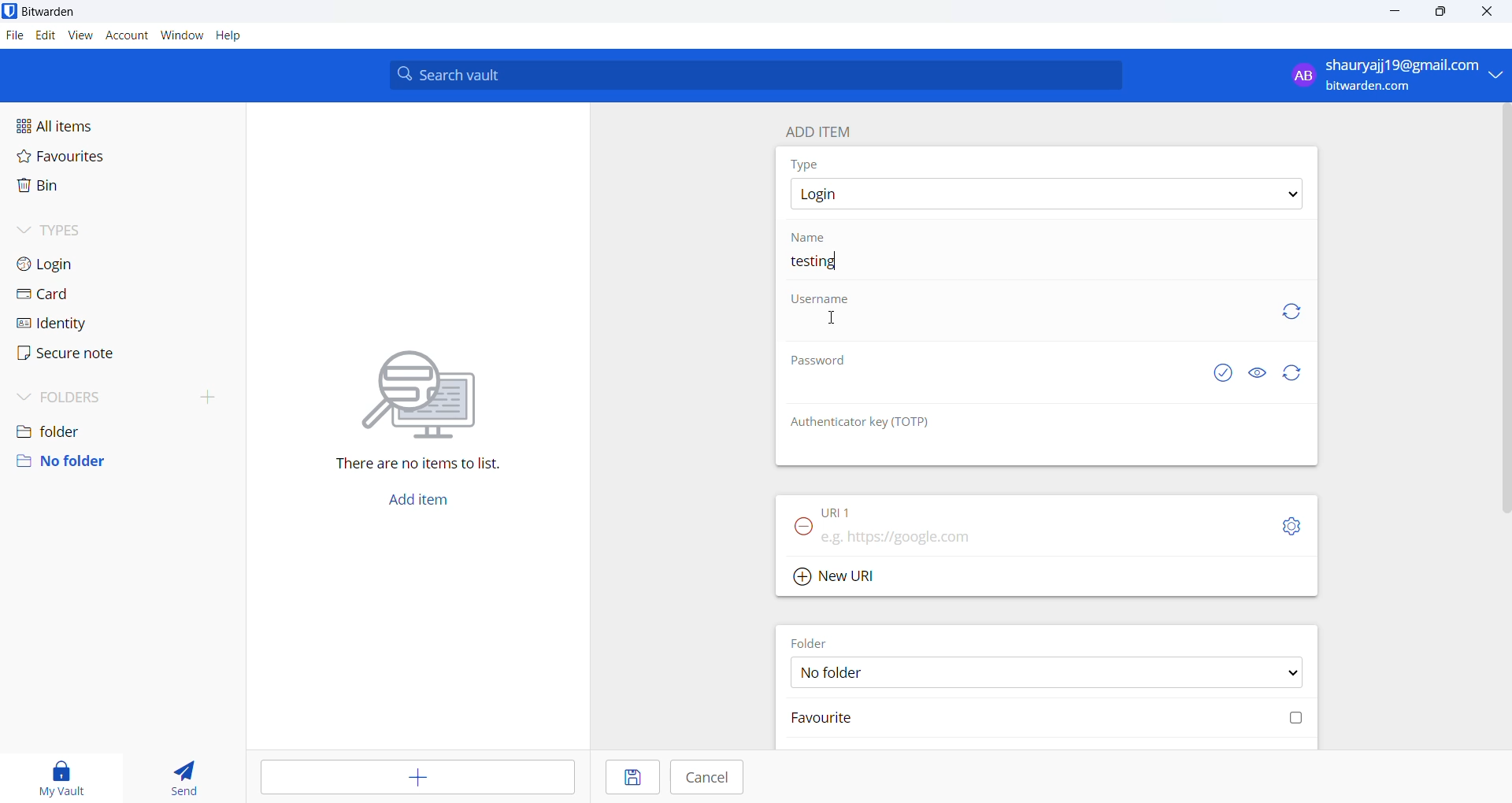  I want to click on There are no items to list., so click(417, 413).